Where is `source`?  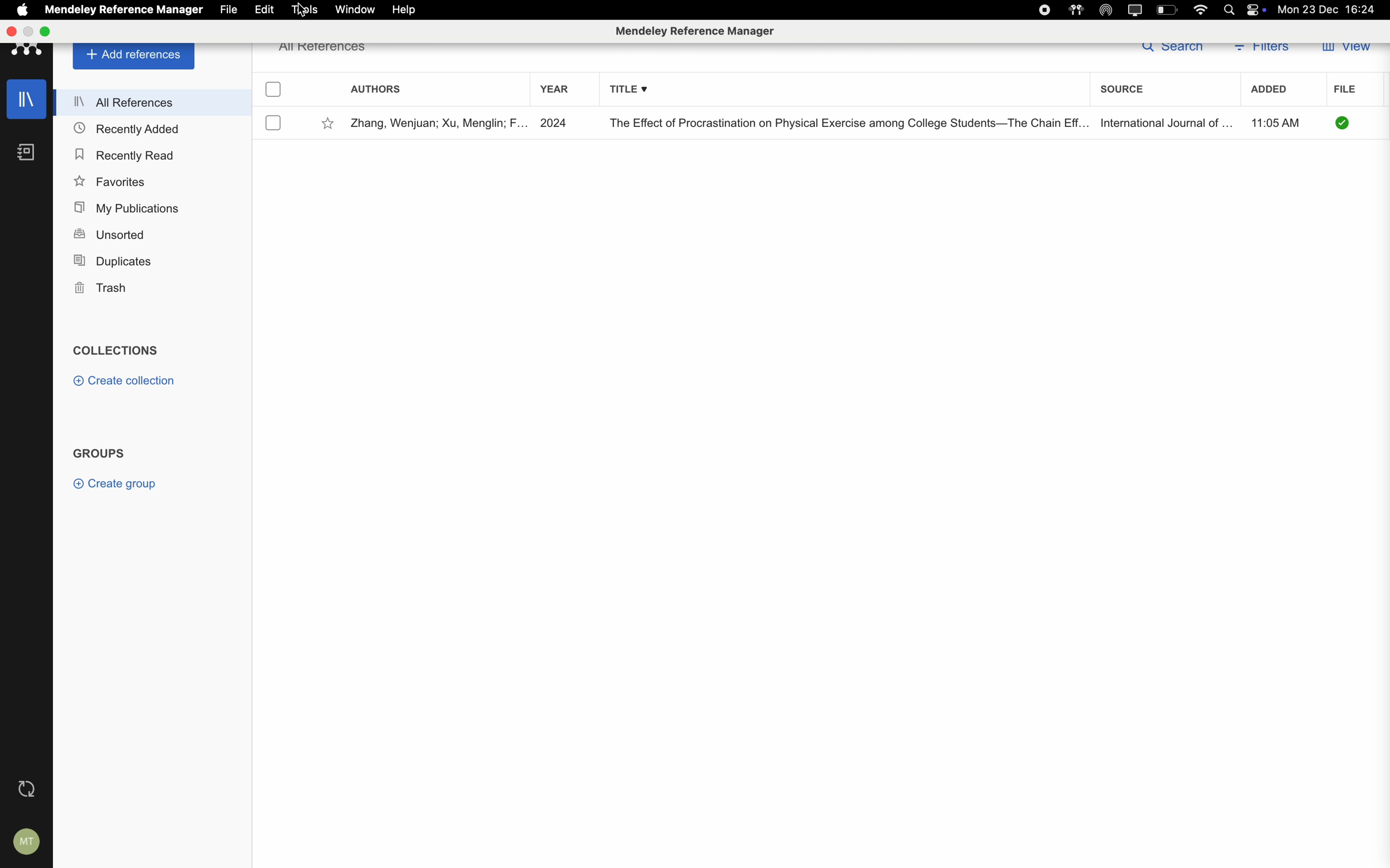
source is located at coordinates (1119, 86).